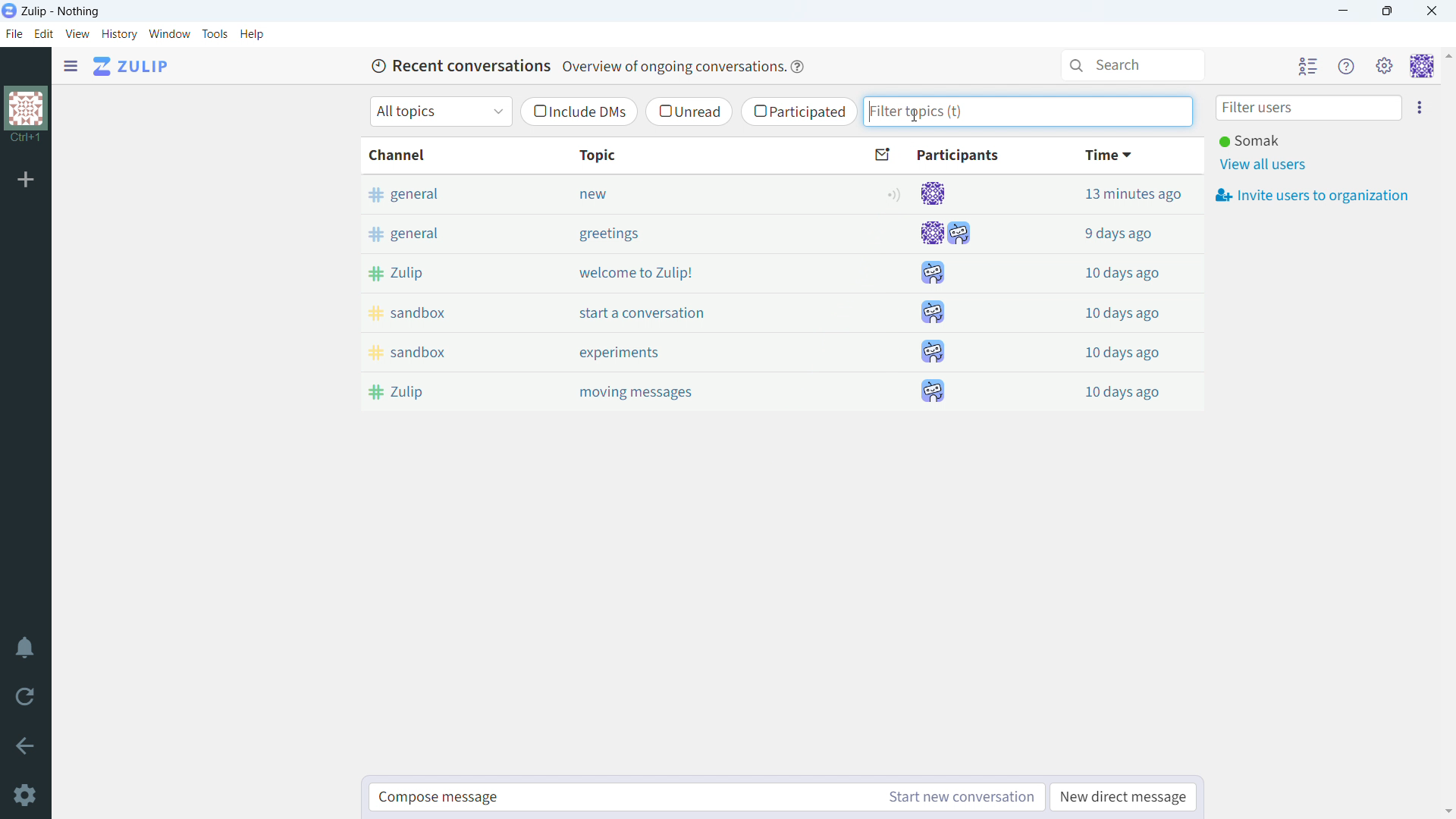 The image size is (1456, 819). Describe the element at coordinates (946, 293) in the screenshot. I see `participants` at that location.